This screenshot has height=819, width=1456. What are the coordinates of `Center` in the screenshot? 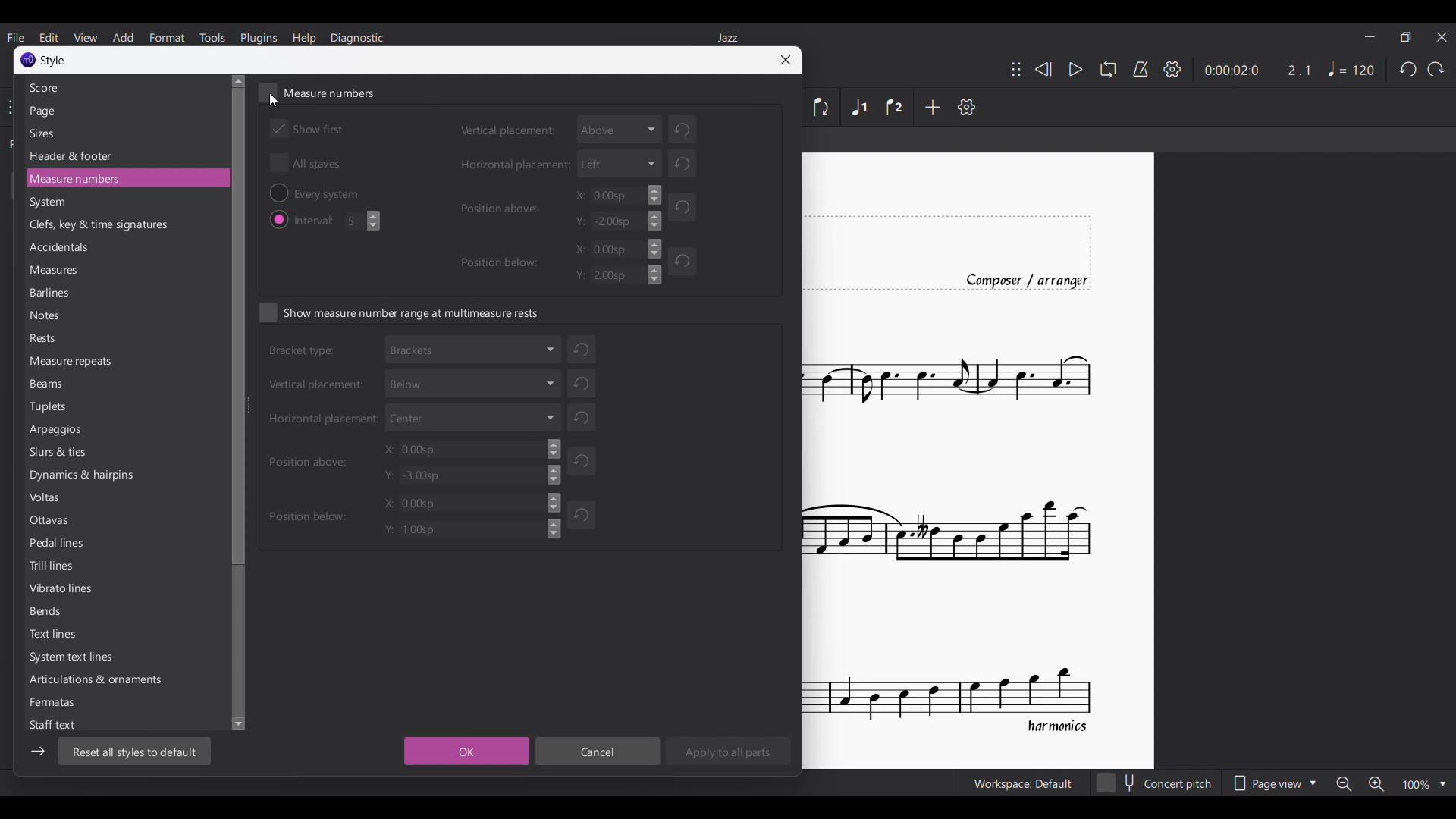 It's located at (475, 416).